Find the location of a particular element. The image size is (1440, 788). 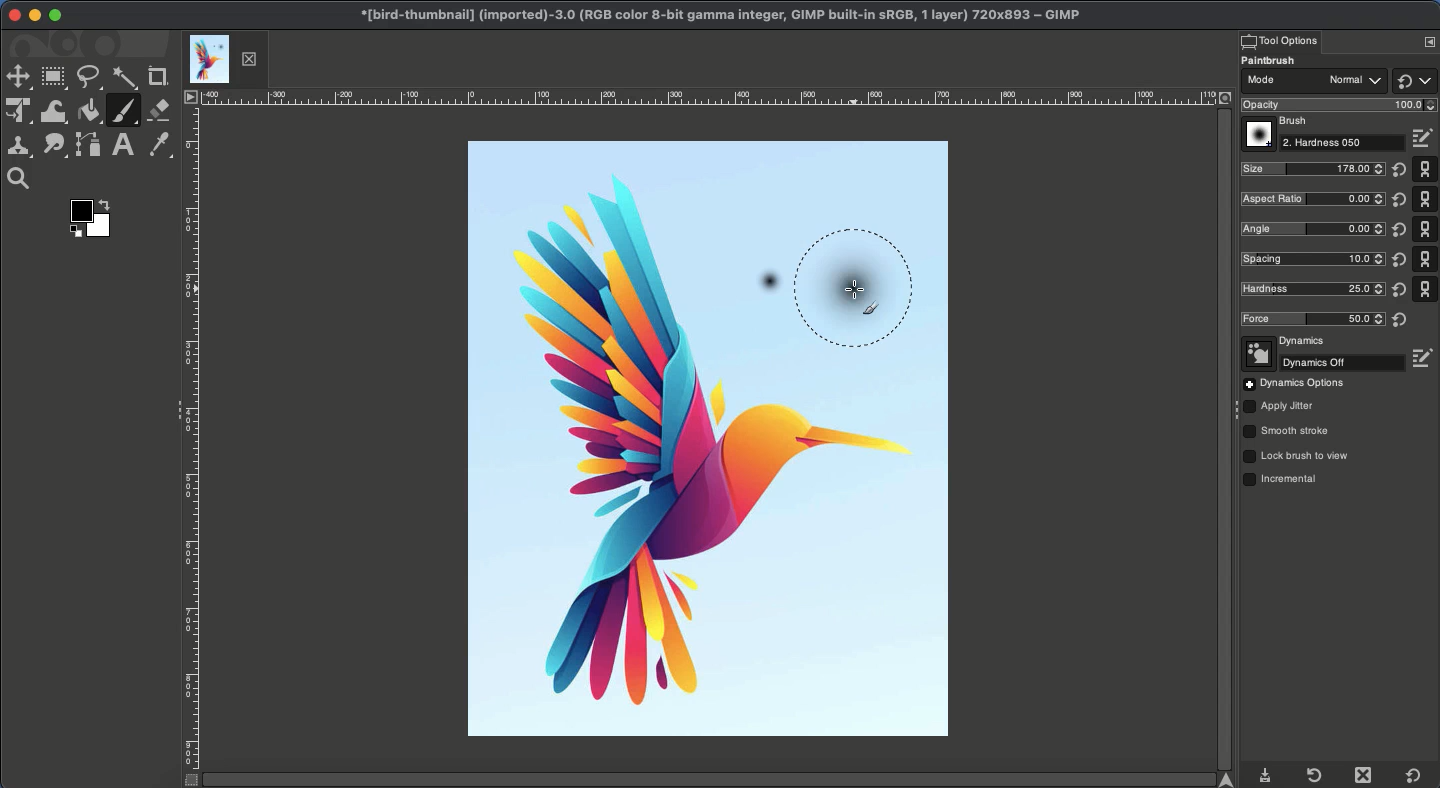

Ruler is located at coordinates (190, 449).